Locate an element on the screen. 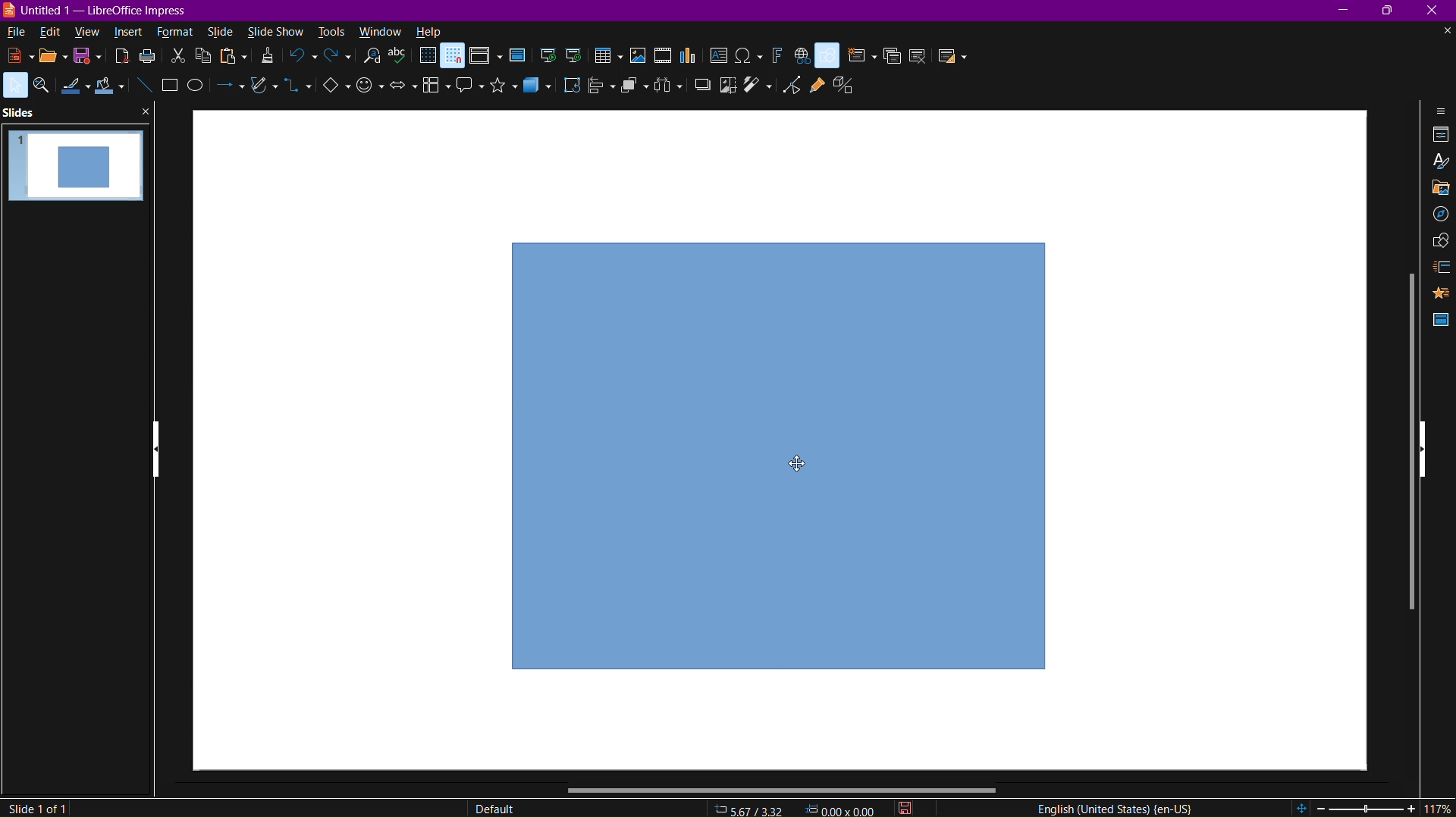  Close is located at coordinates (1436, 11).